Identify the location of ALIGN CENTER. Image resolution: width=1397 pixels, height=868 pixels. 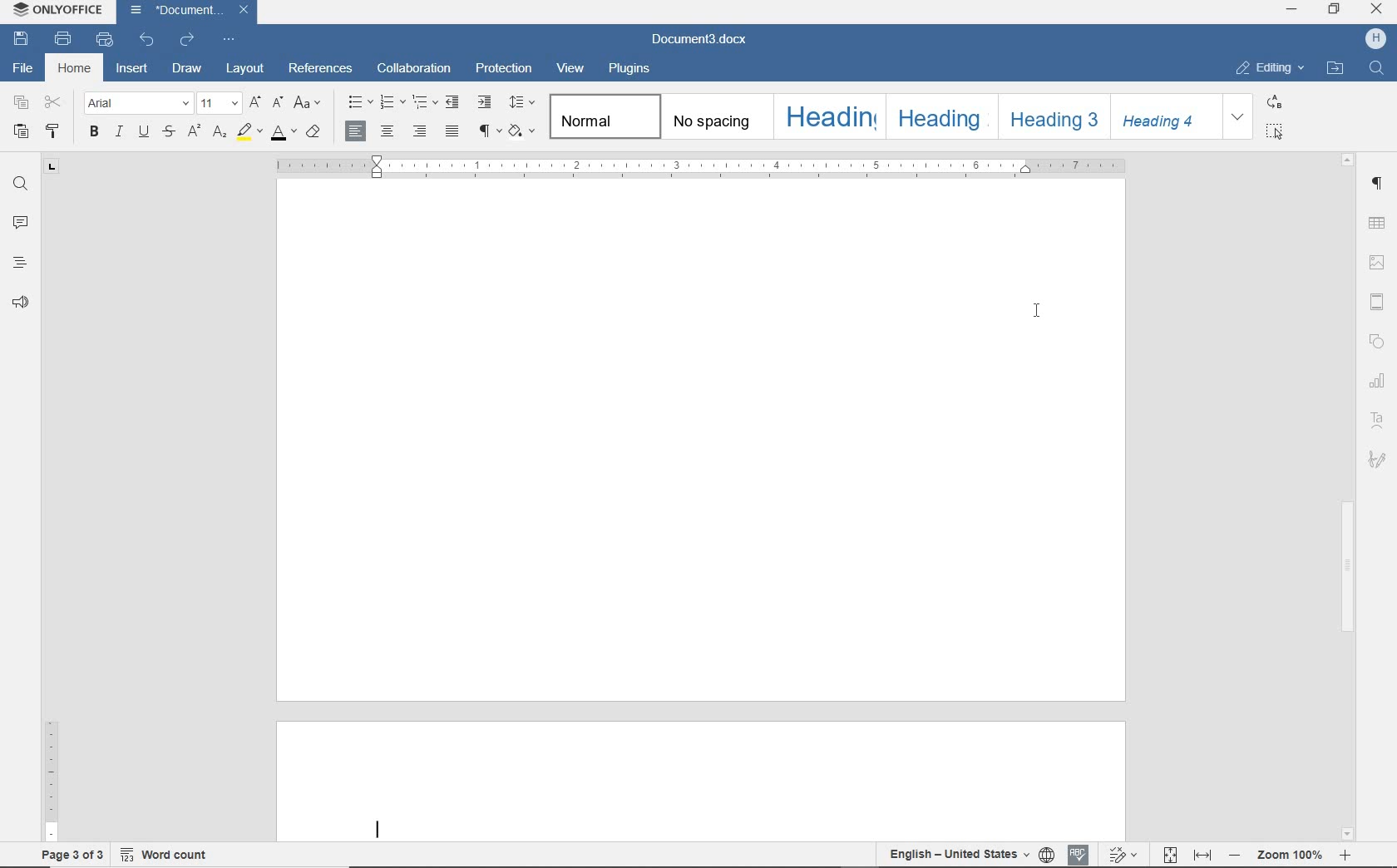
(387, 131).